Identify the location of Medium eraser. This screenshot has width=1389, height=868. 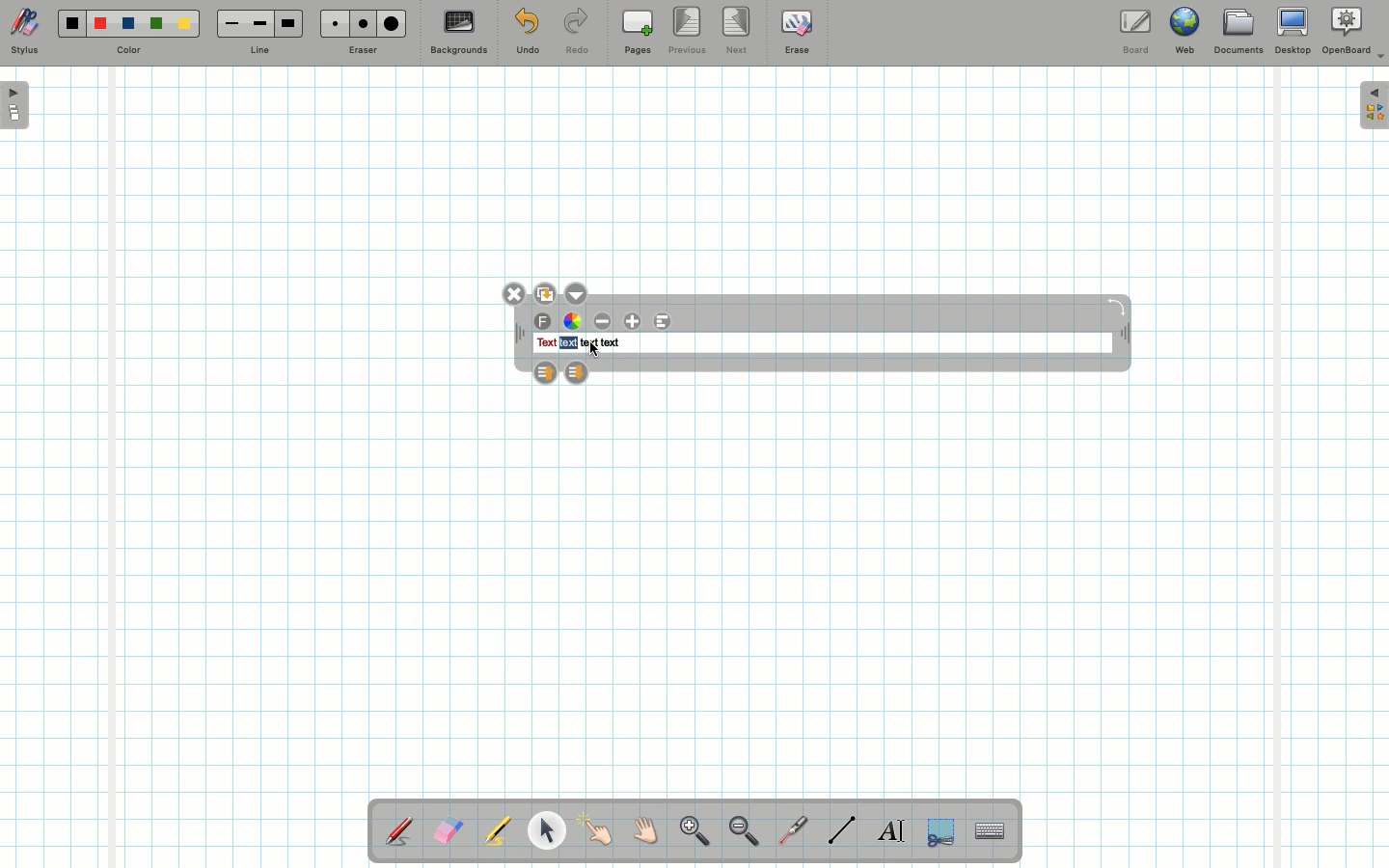
(360, 23).